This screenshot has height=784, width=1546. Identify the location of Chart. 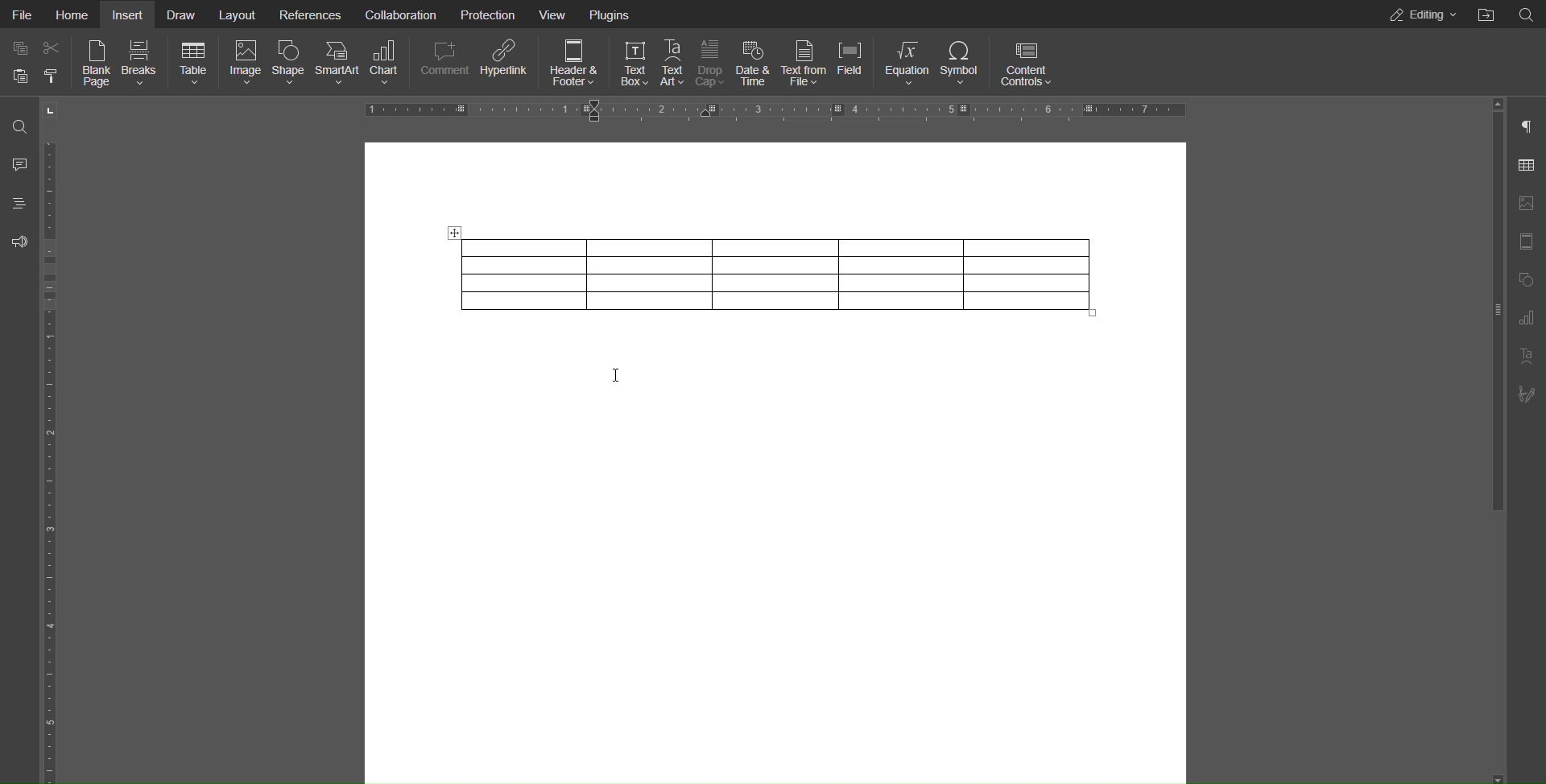
(386, 64).